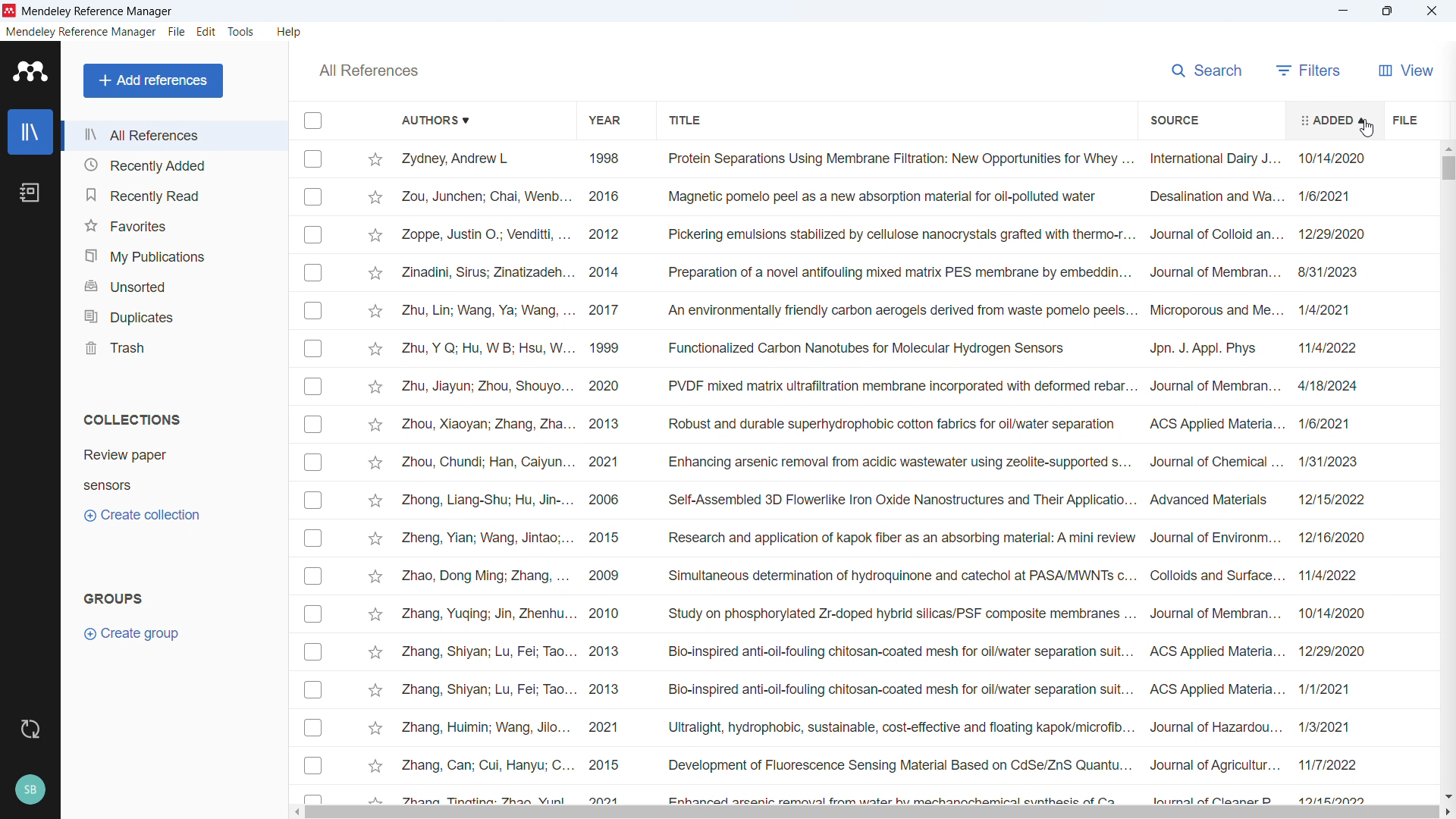  I want to click on Sort by title , so click(686, 120).